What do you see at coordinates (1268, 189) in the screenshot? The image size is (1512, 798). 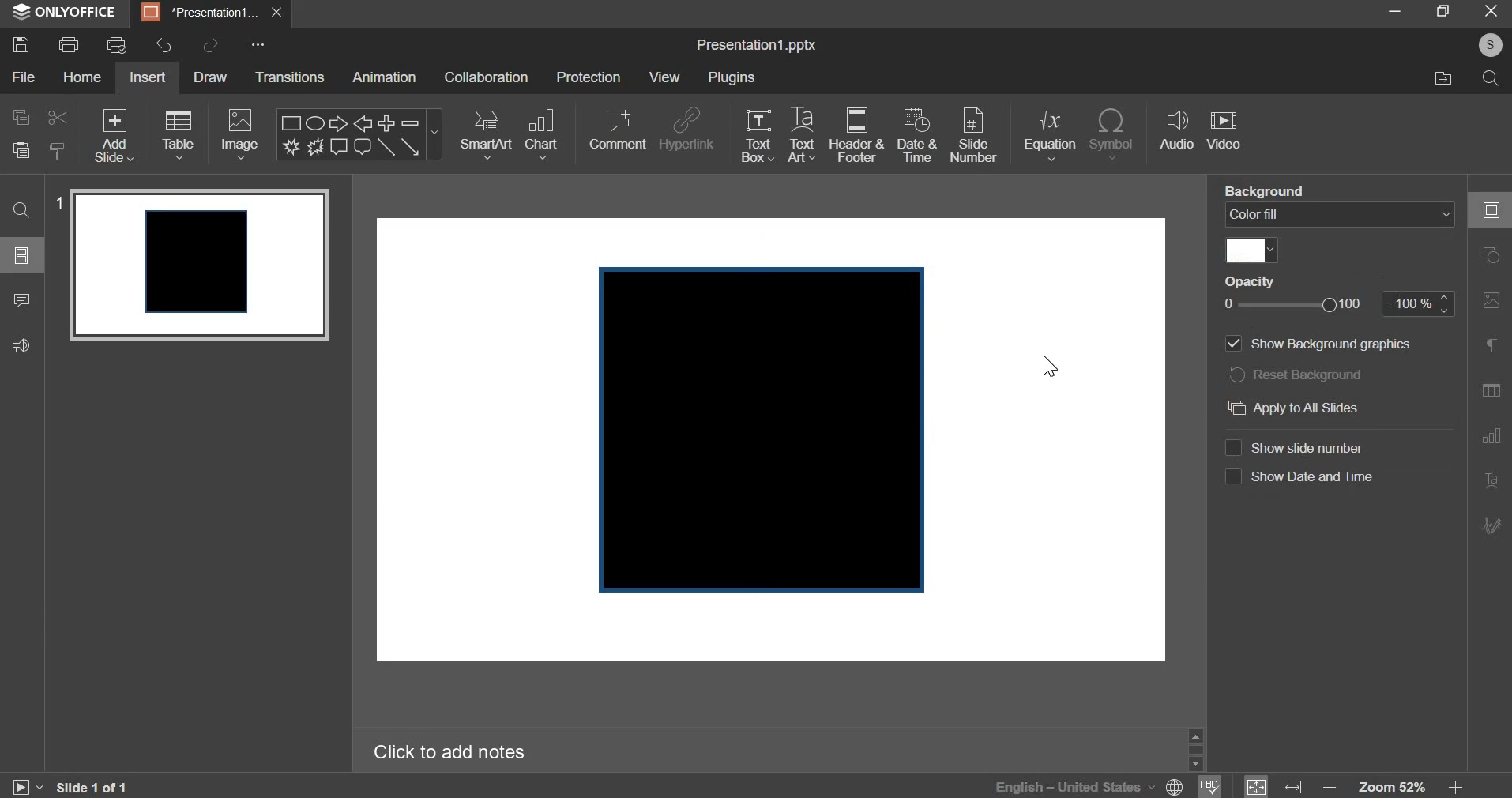 I see `Background` at bounding box center [1268, 189].